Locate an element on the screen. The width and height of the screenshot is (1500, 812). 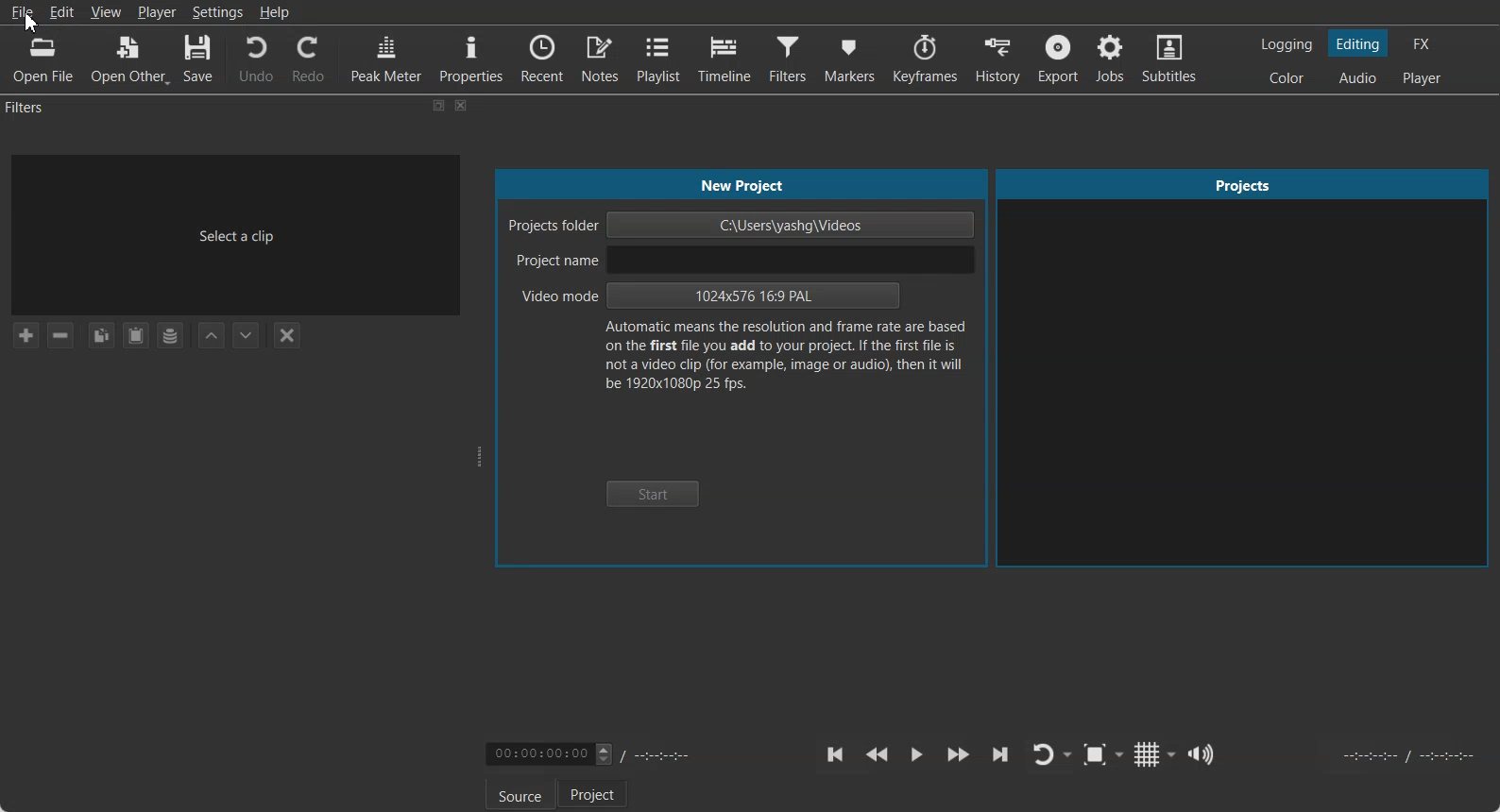
Play quickly backward is located at coordinates (877, 755).